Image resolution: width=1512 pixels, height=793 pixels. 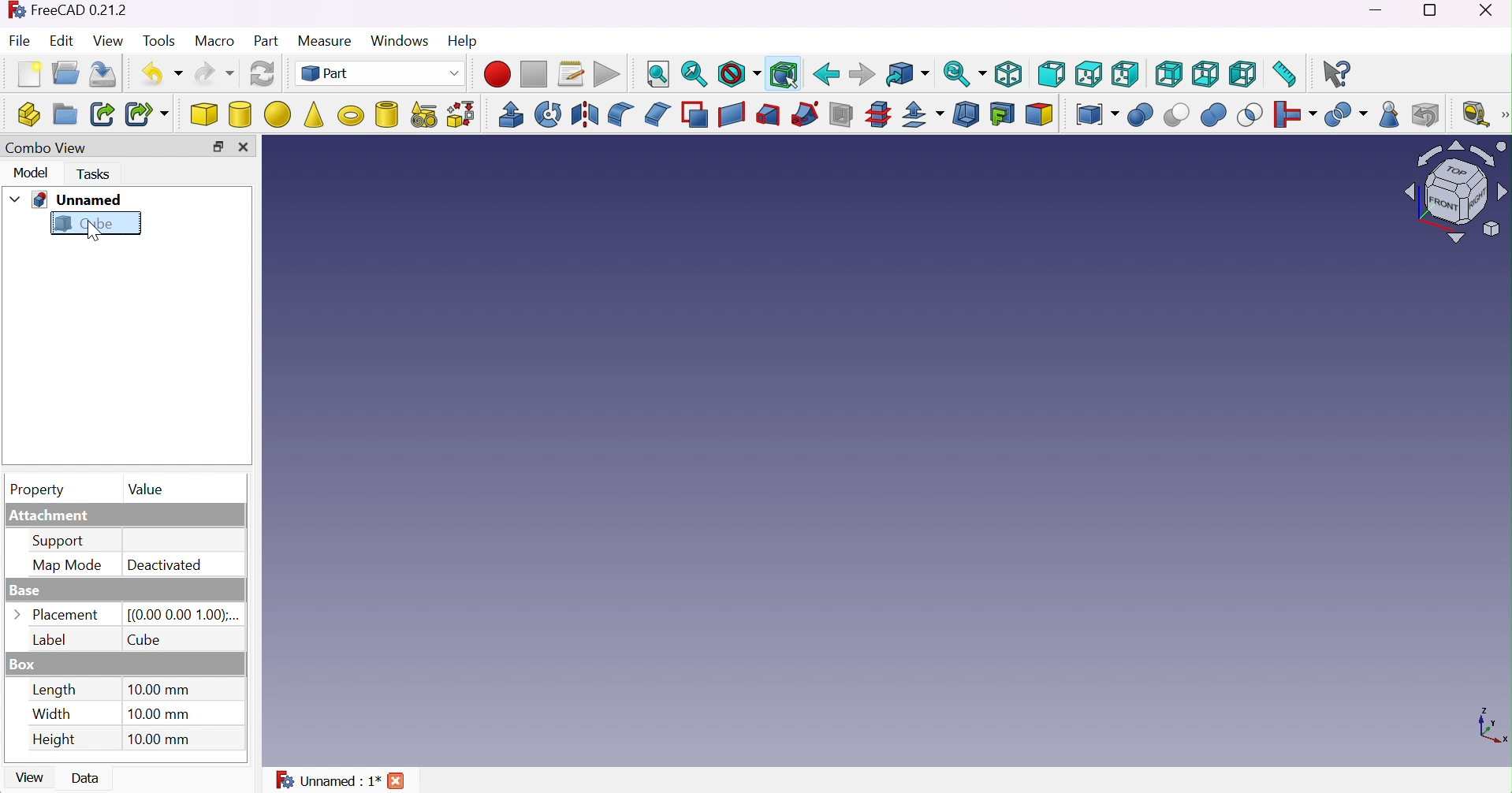 What do you see at coordinates (266, 43) in the screenshot?
I see `Part` at bounding box center [266, 43].